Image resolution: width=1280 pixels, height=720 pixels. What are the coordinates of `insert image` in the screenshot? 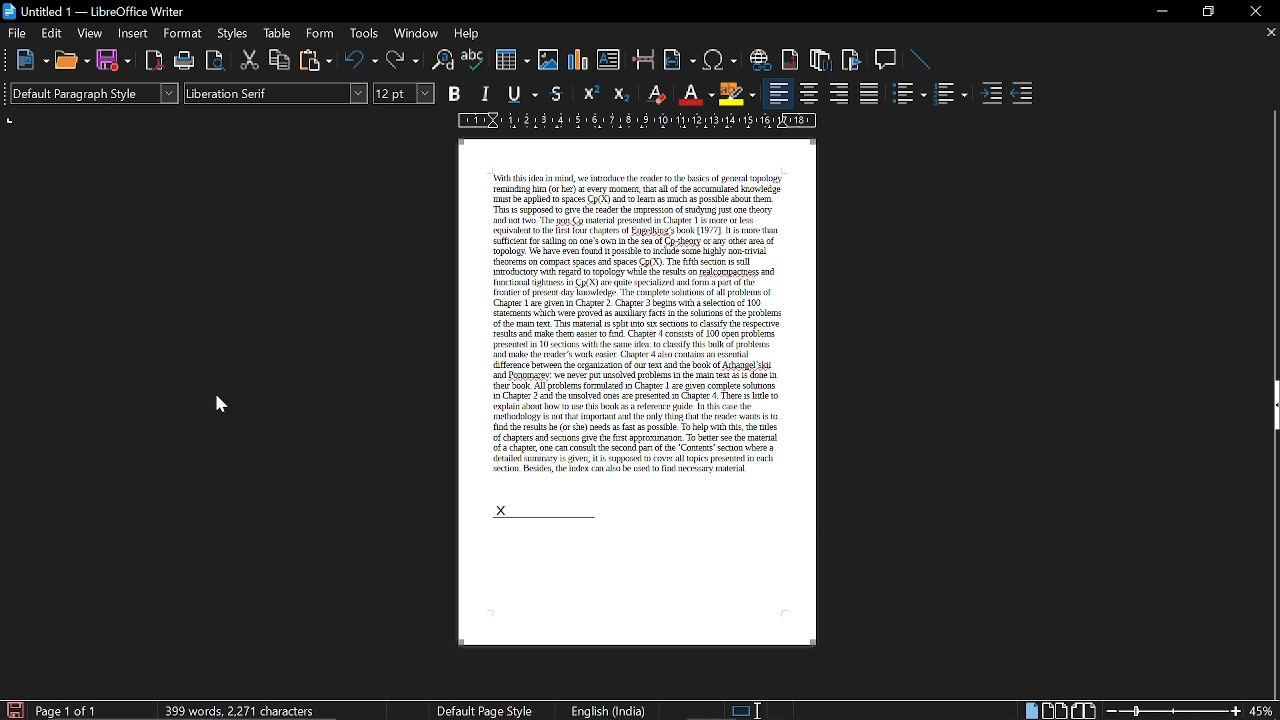 It's located at (550, 61).